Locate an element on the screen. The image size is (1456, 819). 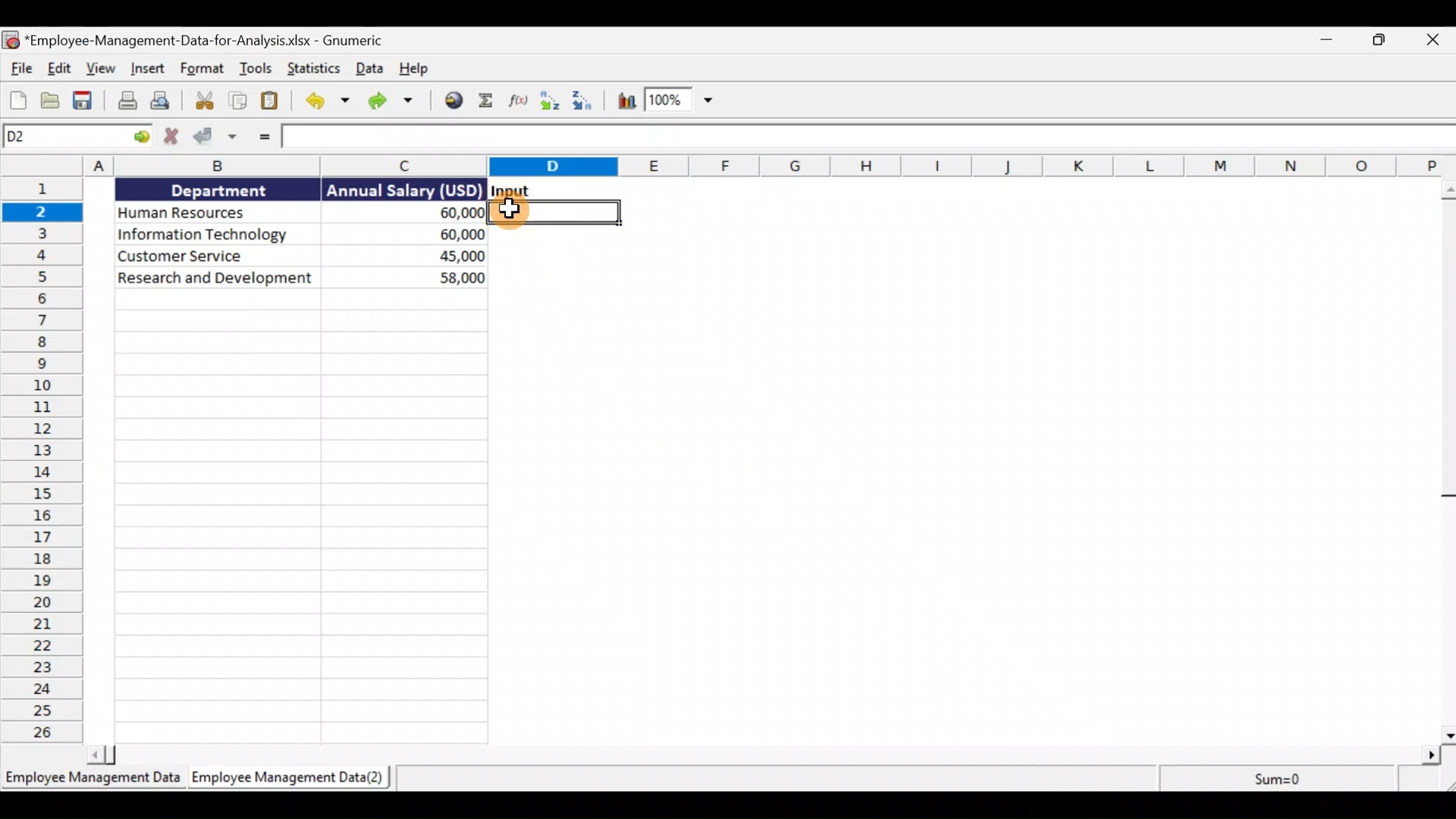
Print preview is located at coordinates (166, 102).